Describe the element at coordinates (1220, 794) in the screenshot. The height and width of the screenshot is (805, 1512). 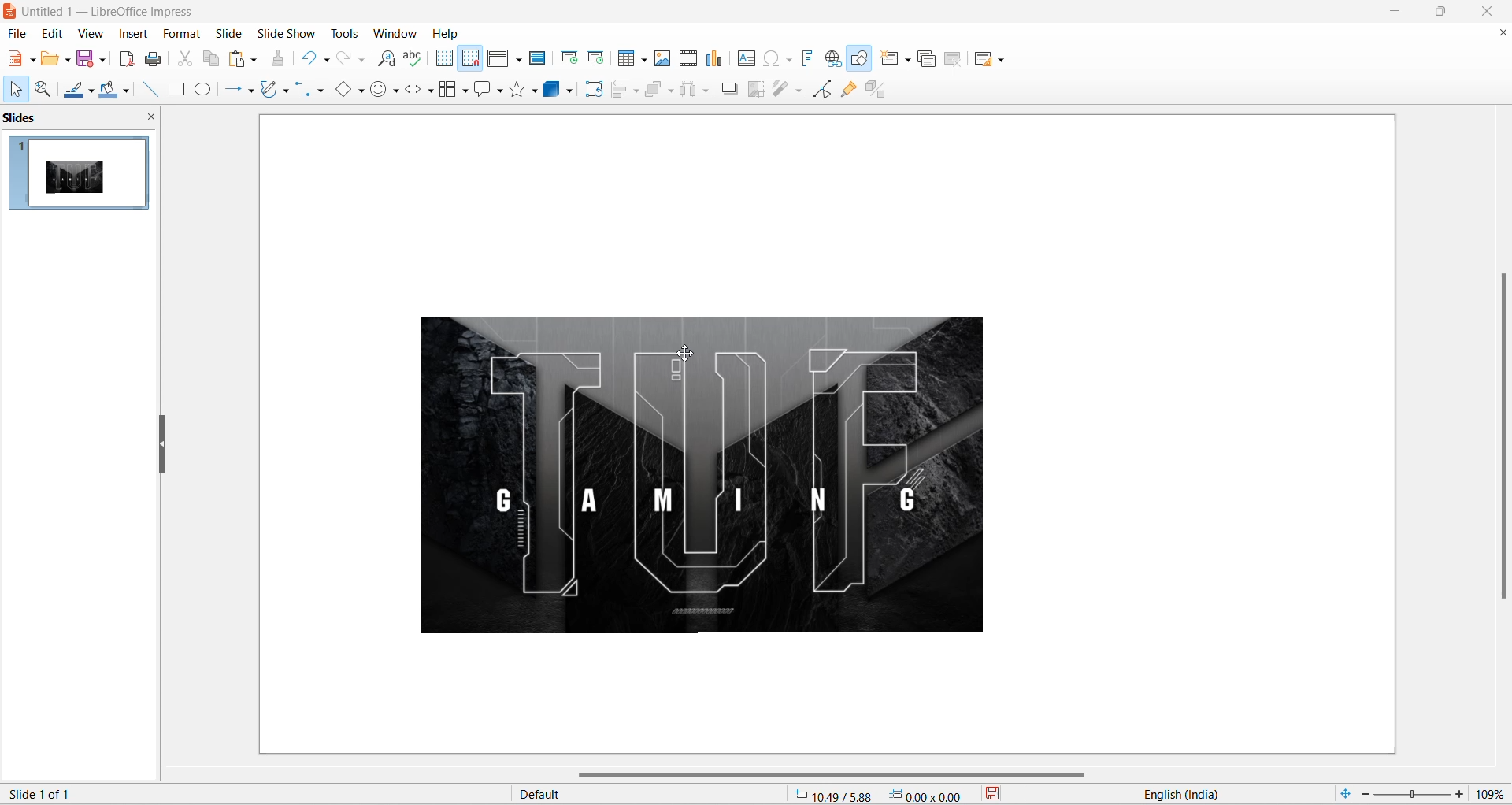
I see `text language` at that location.